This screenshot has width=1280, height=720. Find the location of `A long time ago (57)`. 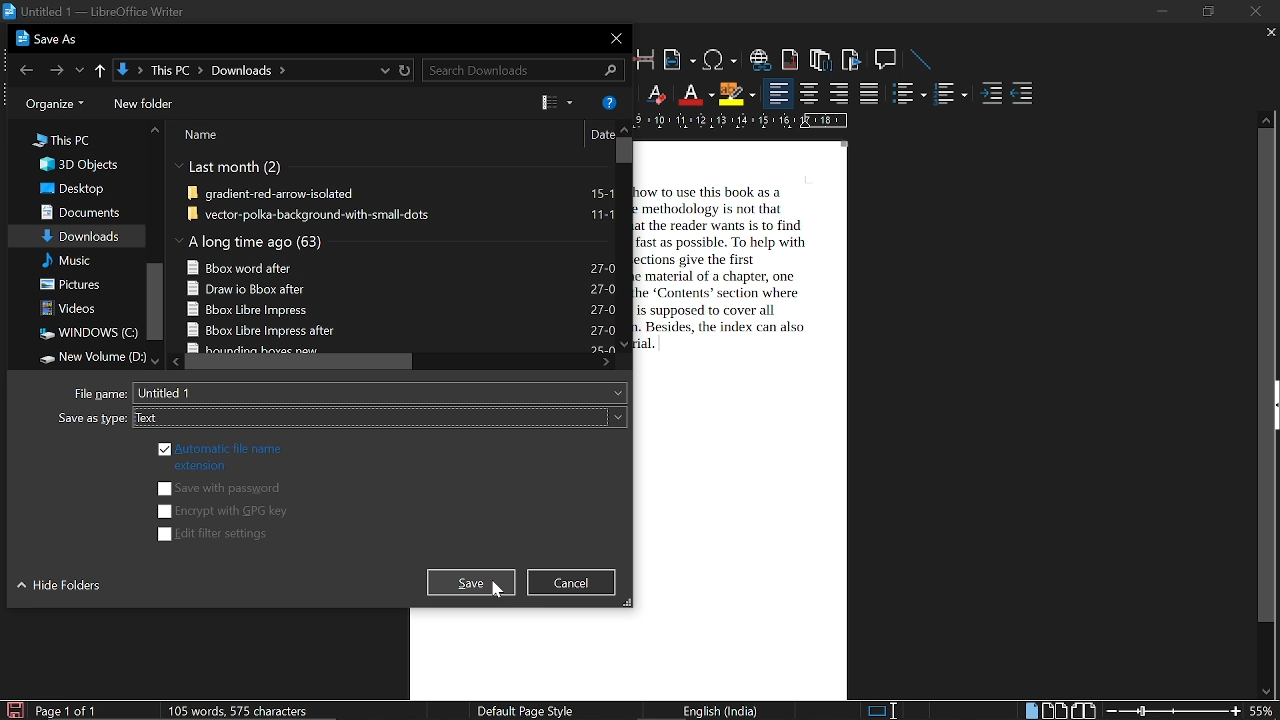

A long time ago (57) is located at coordinates (252, 243).